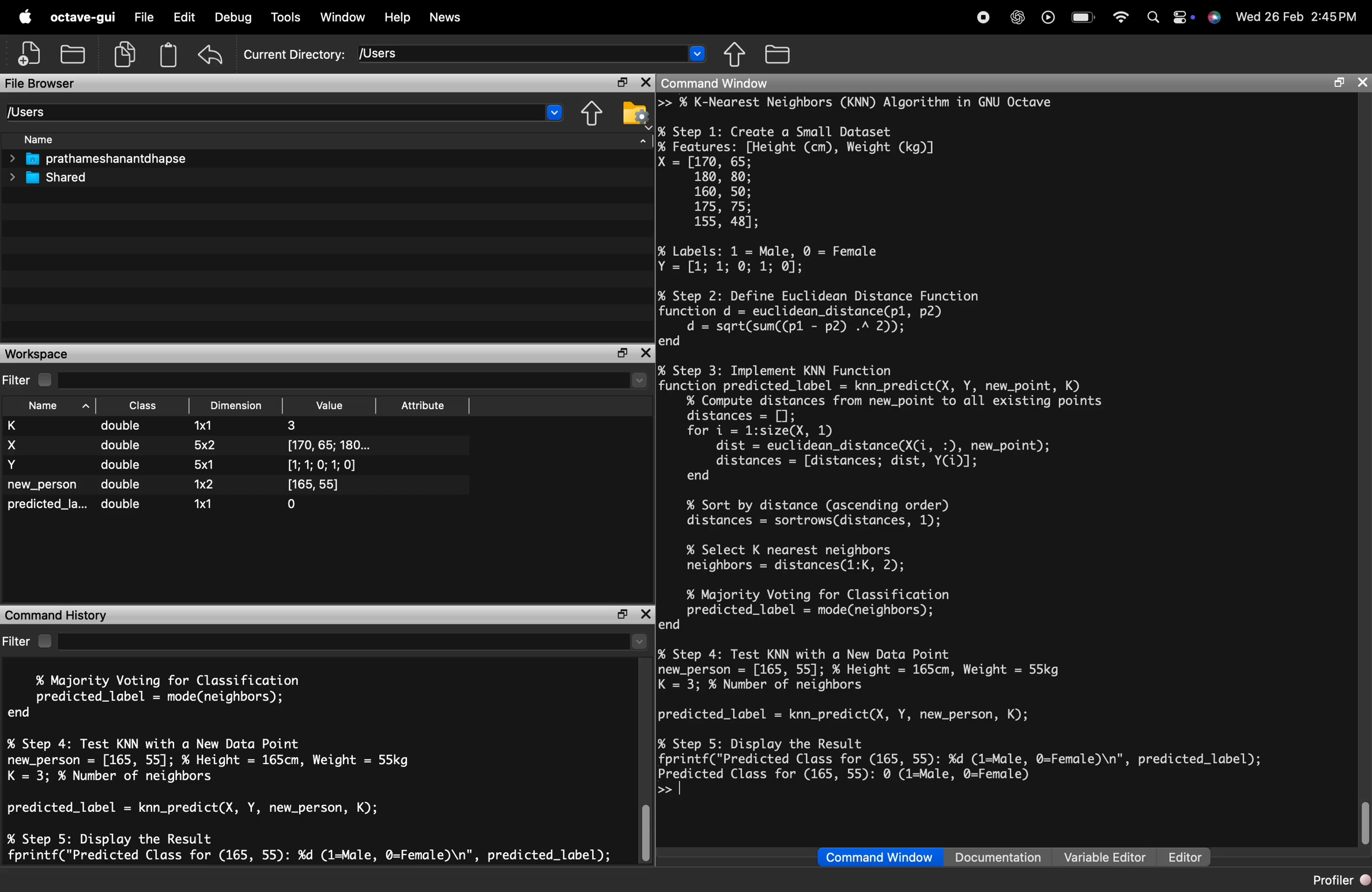 This screenshot has height=892, width=1372. What do you see at coordinates (1335, 85) in the screenshot?
I see `maximise` at bounding box center [1335, 85].